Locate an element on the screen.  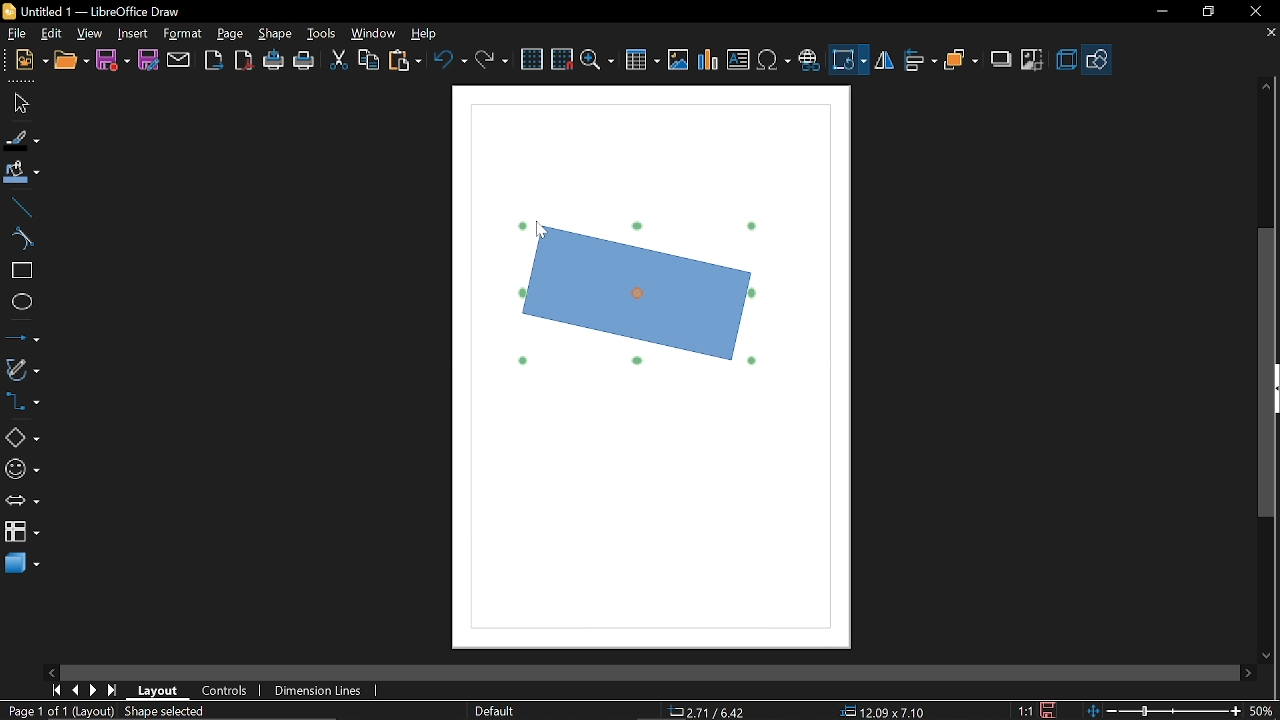
1:1 is located at coordinates (1025, 710).